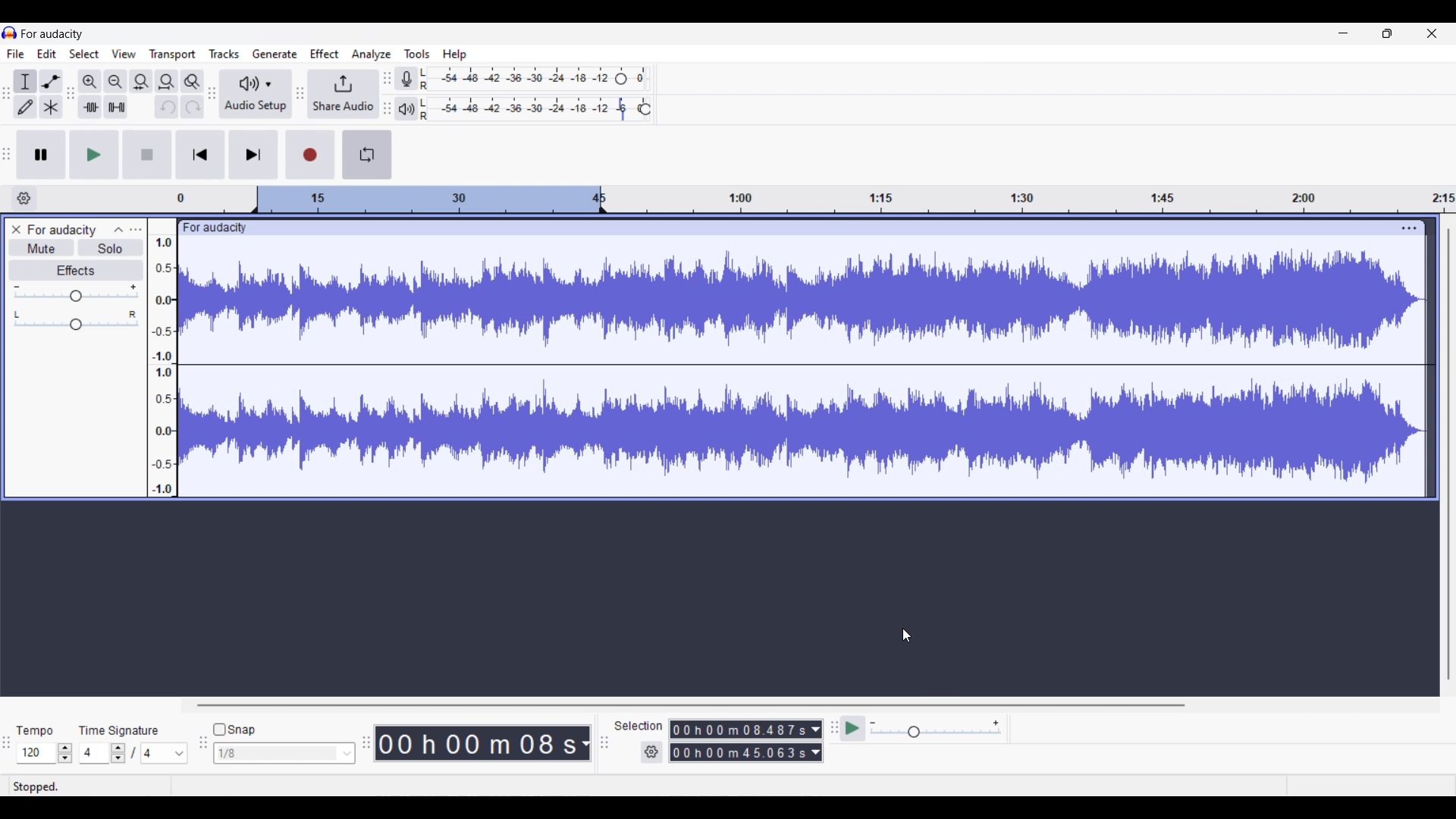 This screenshot has width=1456, height=819. What do you see at coordinates (1343, 33) in the screenshot?
I see `Minimize` at bounding box center [1343, 33].